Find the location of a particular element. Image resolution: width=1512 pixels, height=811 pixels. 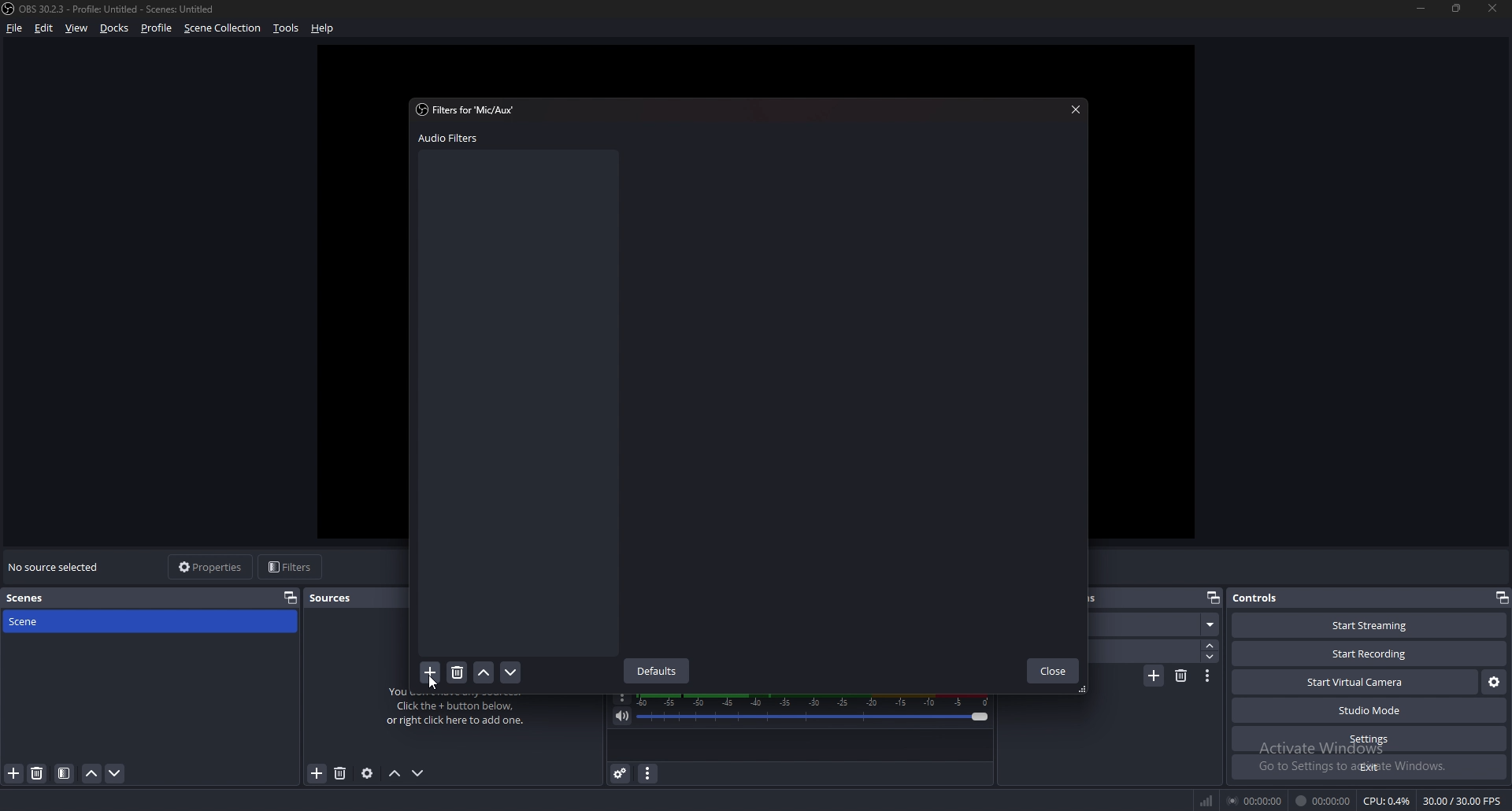

add filter is located at coordinates (429, 672).